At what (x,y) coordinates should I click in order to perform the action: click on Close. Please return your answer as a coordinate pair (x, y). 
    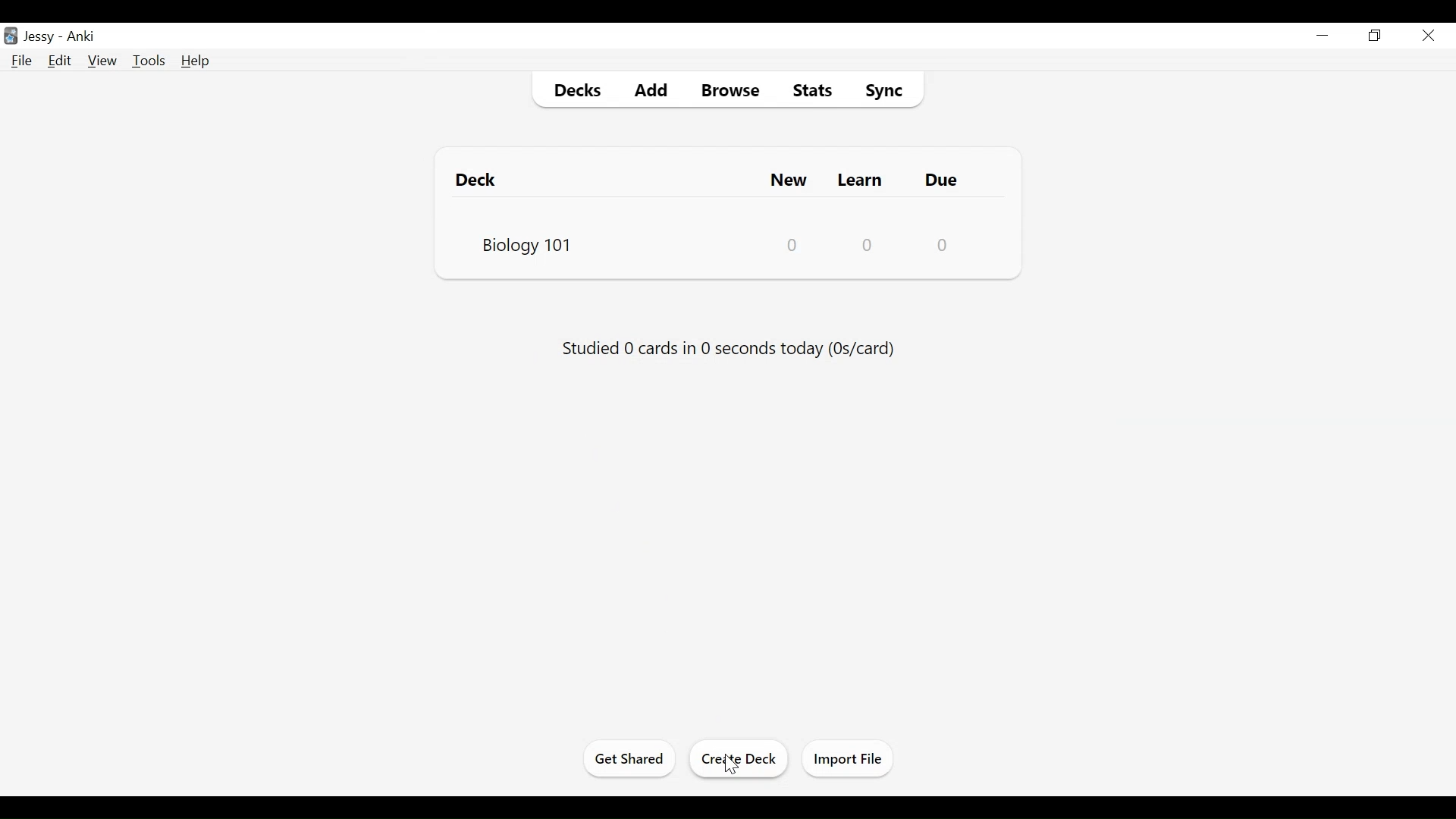
    Looking at the image, I should click on (1428, 36).